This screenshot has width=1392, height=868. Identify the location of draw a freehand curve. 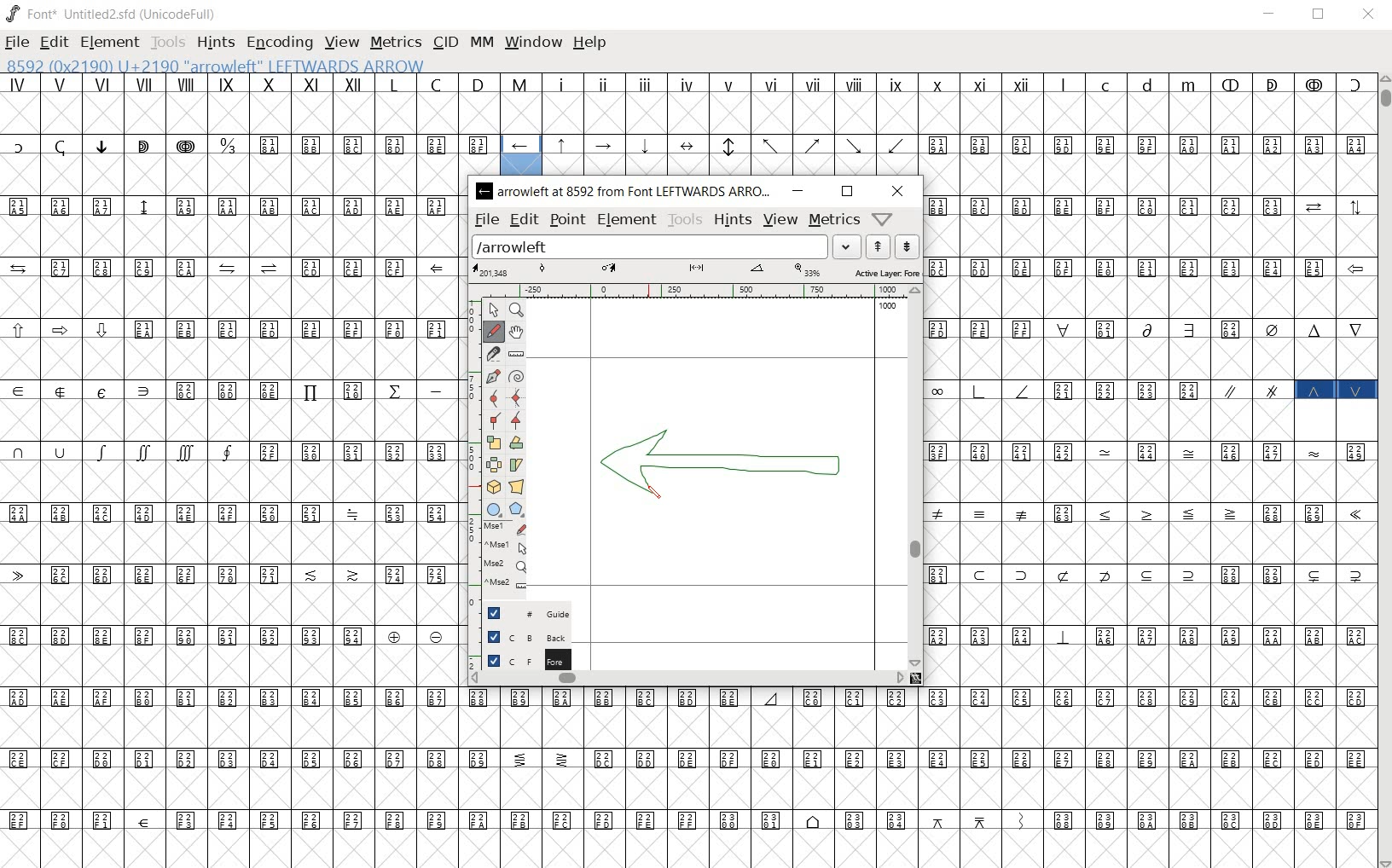
(493, 331).